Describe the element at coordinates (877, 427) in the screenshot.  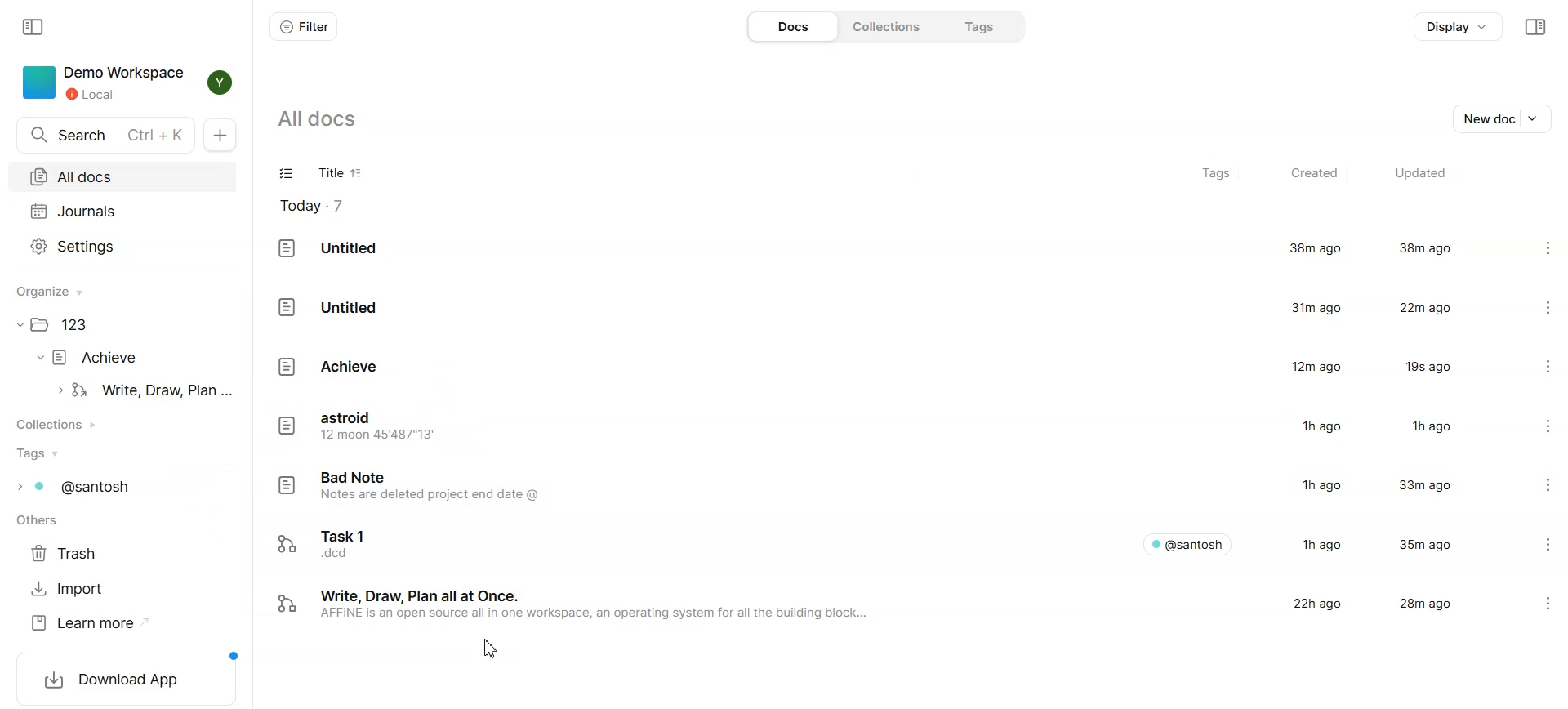
I see `Doc file` at that location.